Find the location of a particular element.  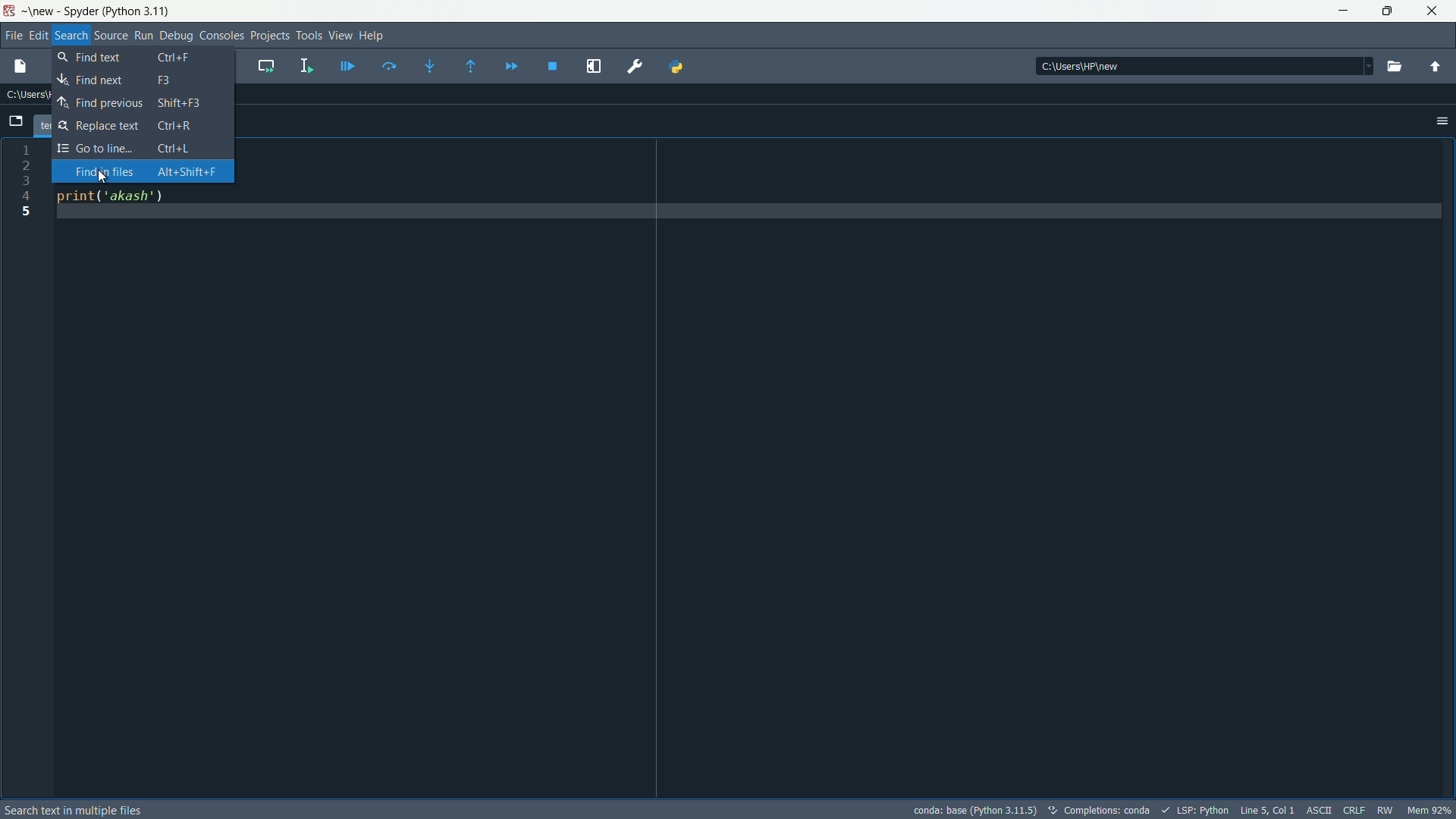

browse directory is located at coordinates (1392, 66).